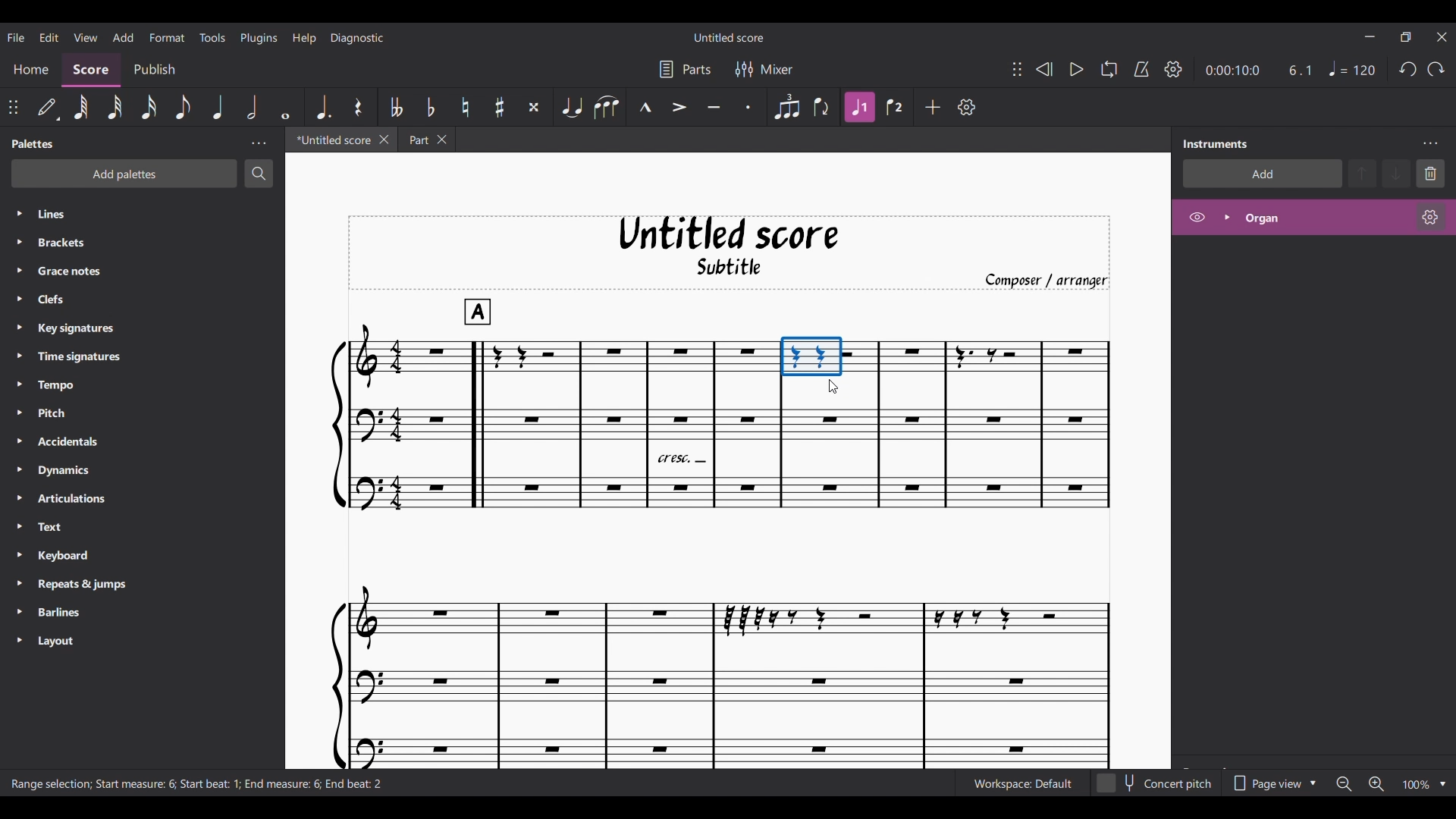  What do you see at coordinates (500, 108) in the screenshot?
I see `Toggle sharp` at bounding box center [500, 108].